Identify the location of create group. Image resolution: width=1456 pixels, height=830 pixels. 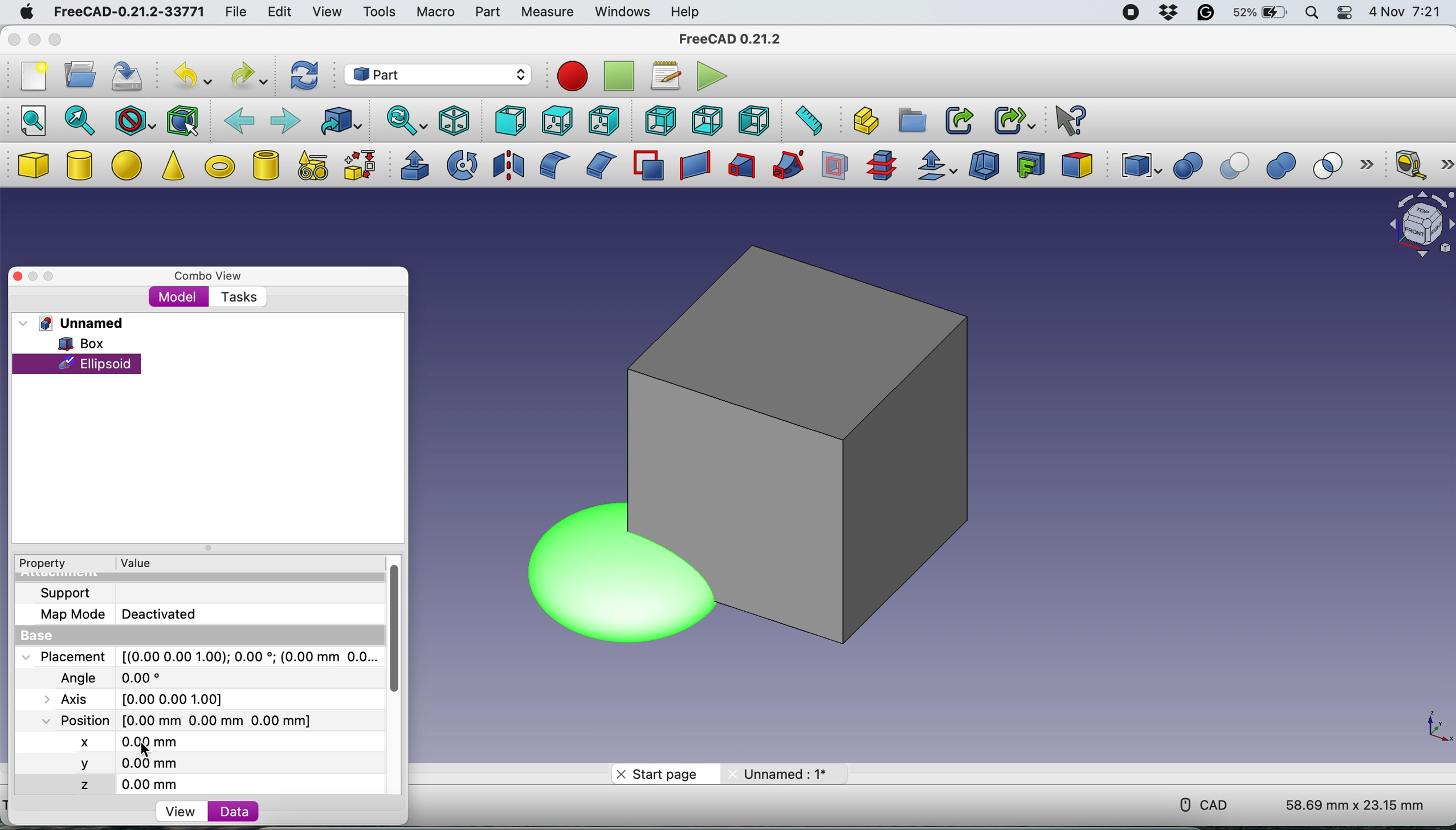
(913, 120).